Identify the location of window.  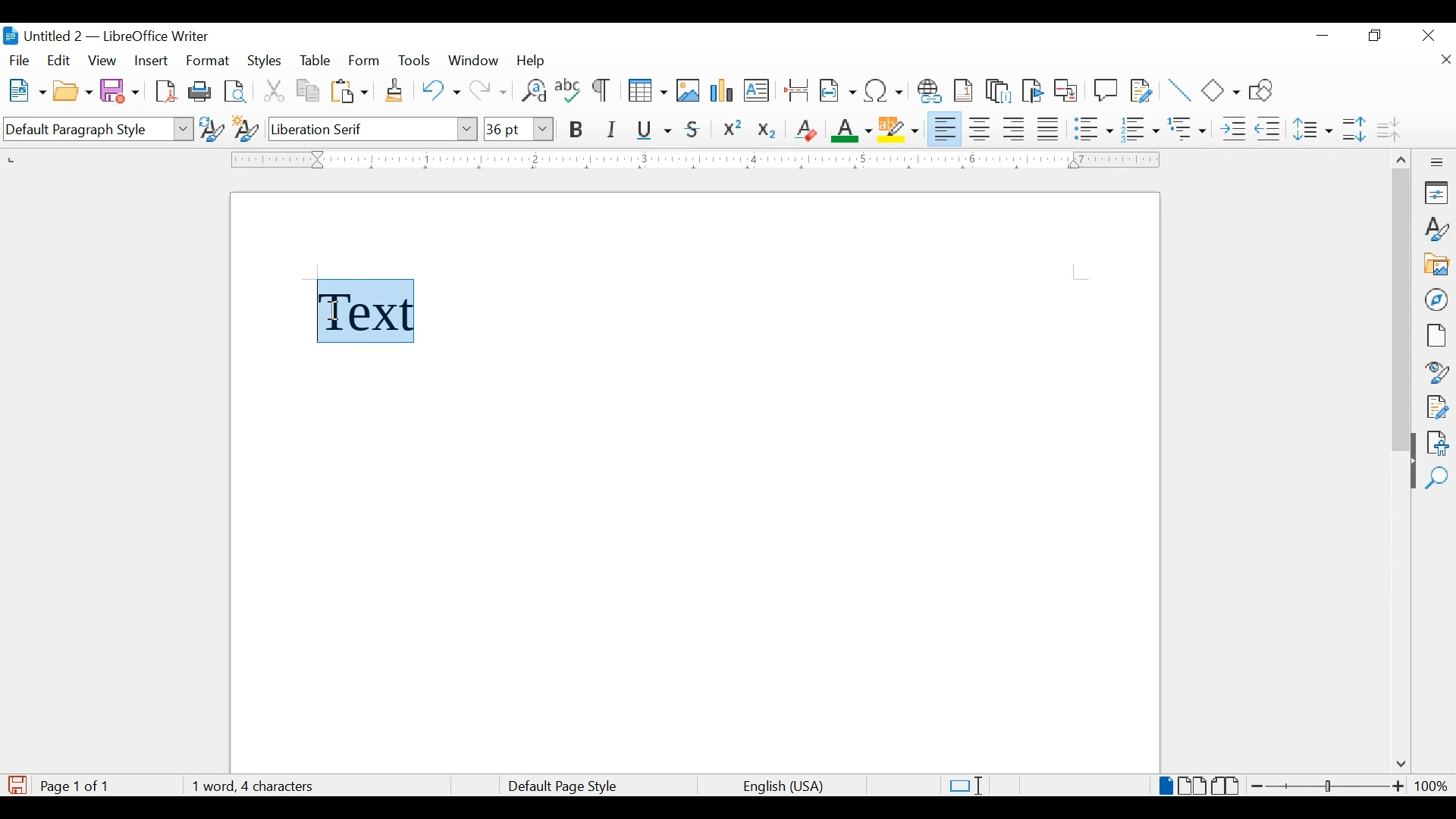
(475, 61).